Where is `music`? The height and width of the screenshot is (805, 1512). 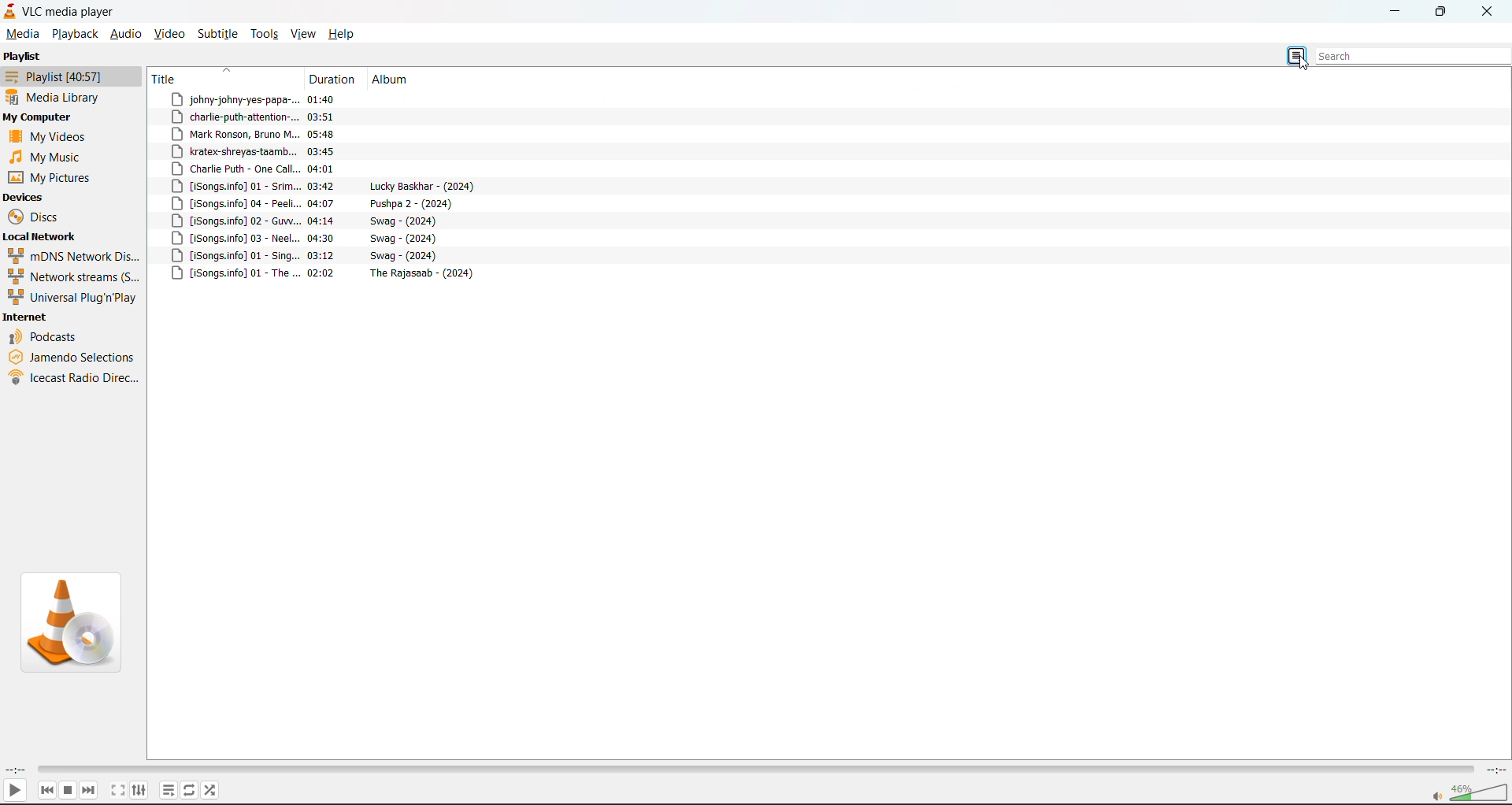
music is located at coordinates (54, 157).